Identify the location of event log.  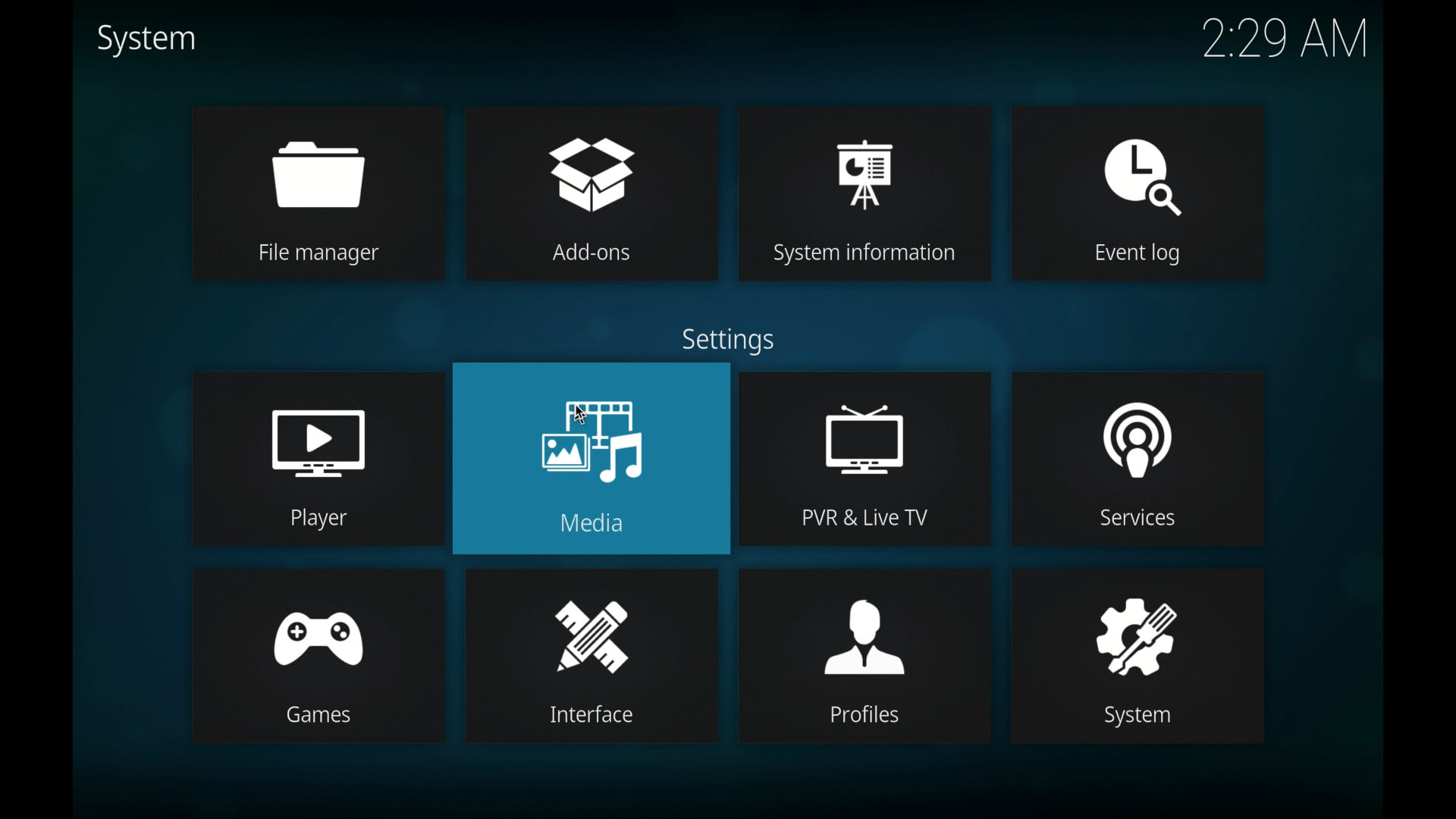
(1137, 160).